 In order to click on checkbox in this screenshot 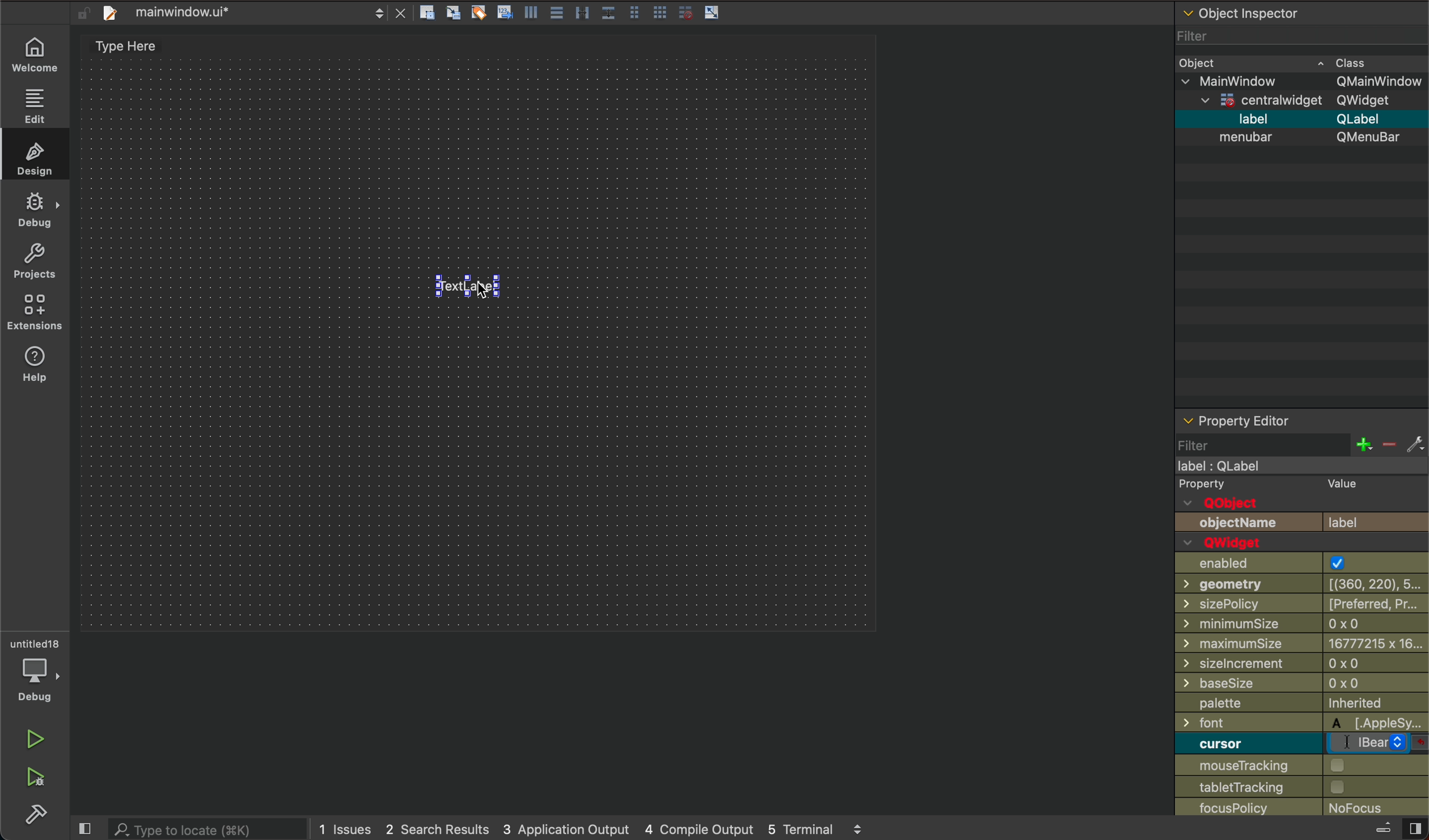, I will do `click(1338, 787)`.